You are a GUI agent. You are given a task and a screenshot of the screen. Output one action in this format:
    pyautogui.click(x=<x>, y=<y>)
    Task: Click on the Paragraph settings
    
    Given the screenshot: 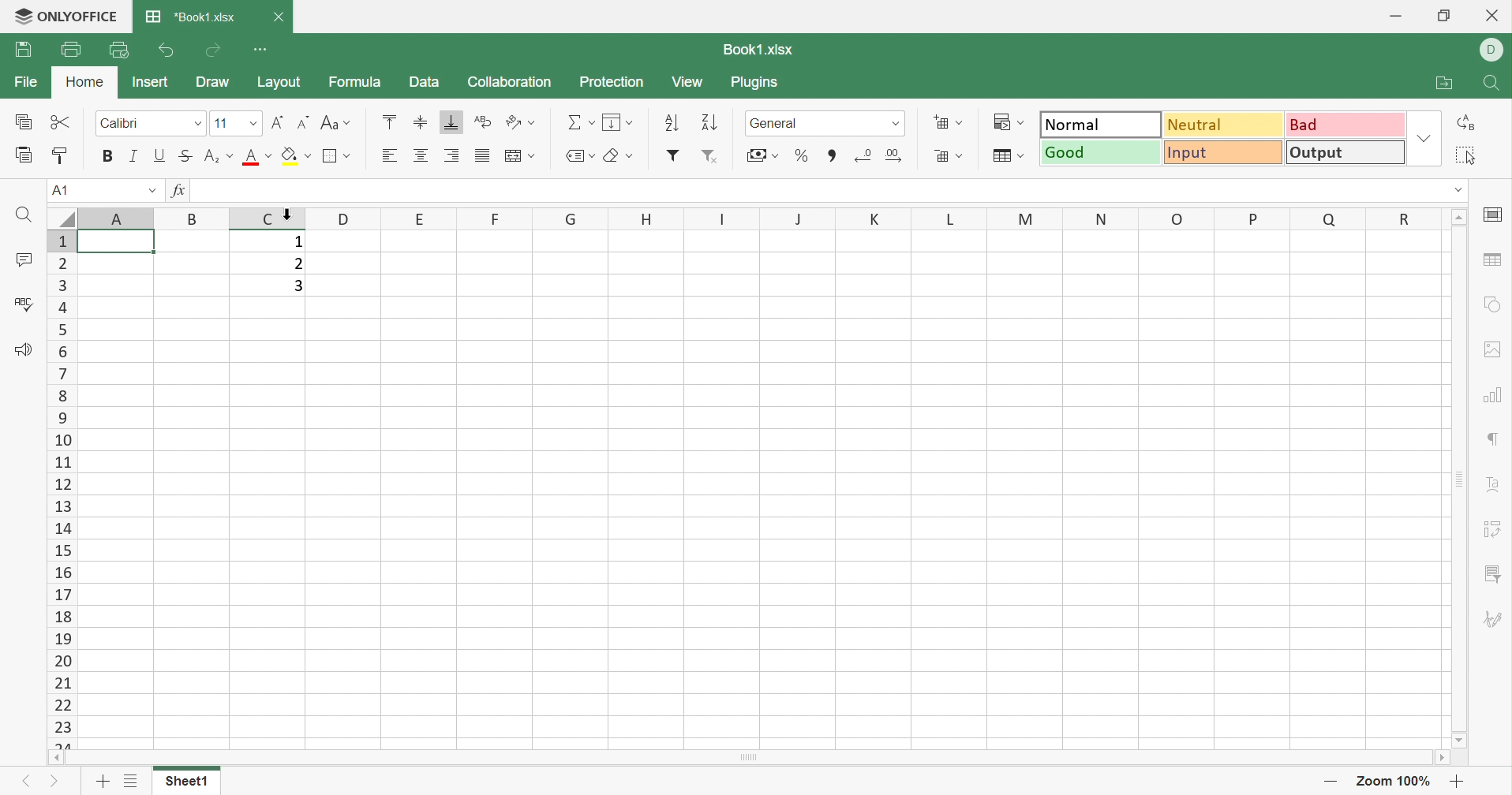 What is the action you would take?
    pyautogui.click(x=1491, y=439)
    